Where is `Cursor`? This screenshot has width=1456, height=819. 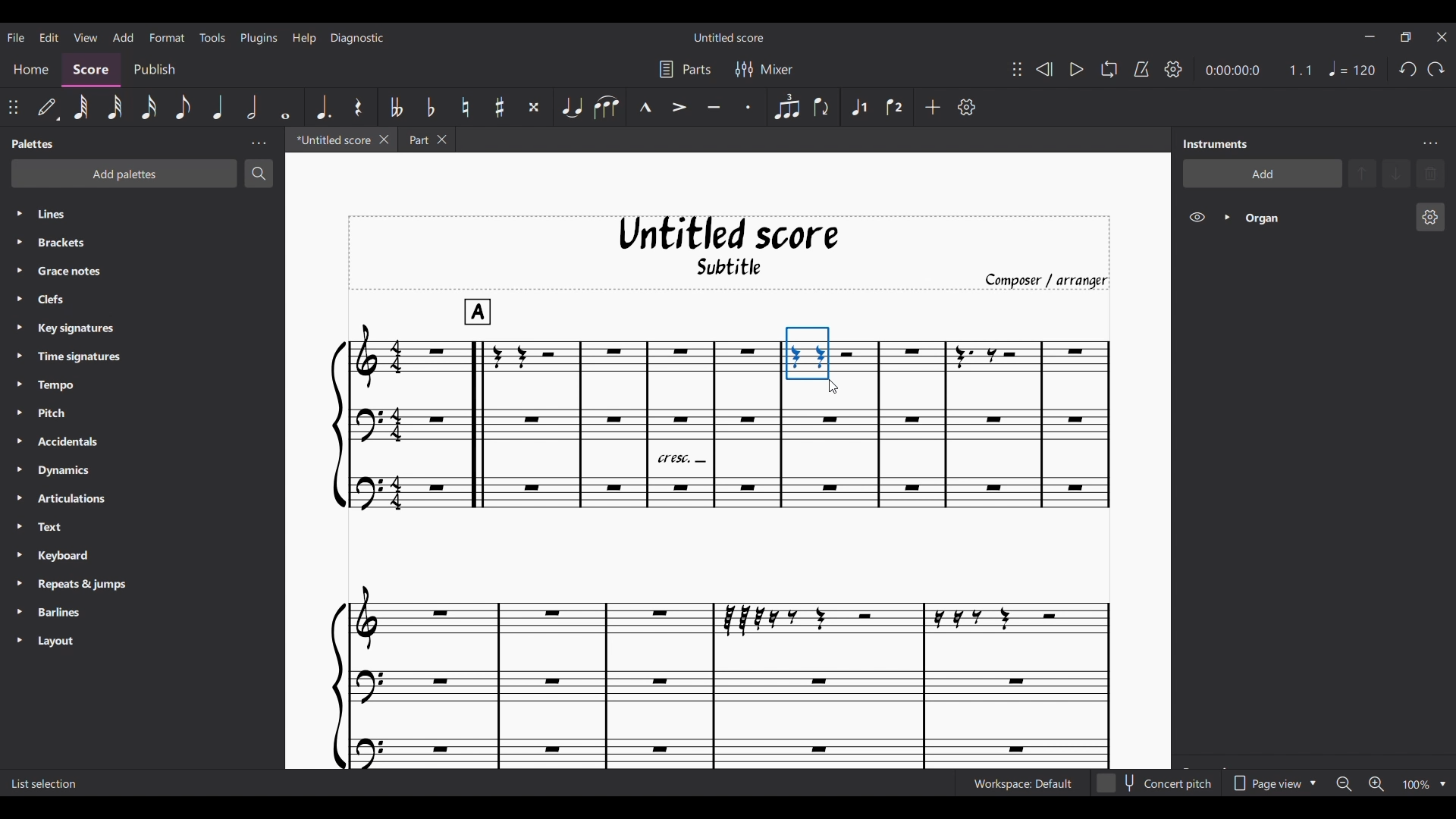
Cursor is located at coordinates (834, 400).